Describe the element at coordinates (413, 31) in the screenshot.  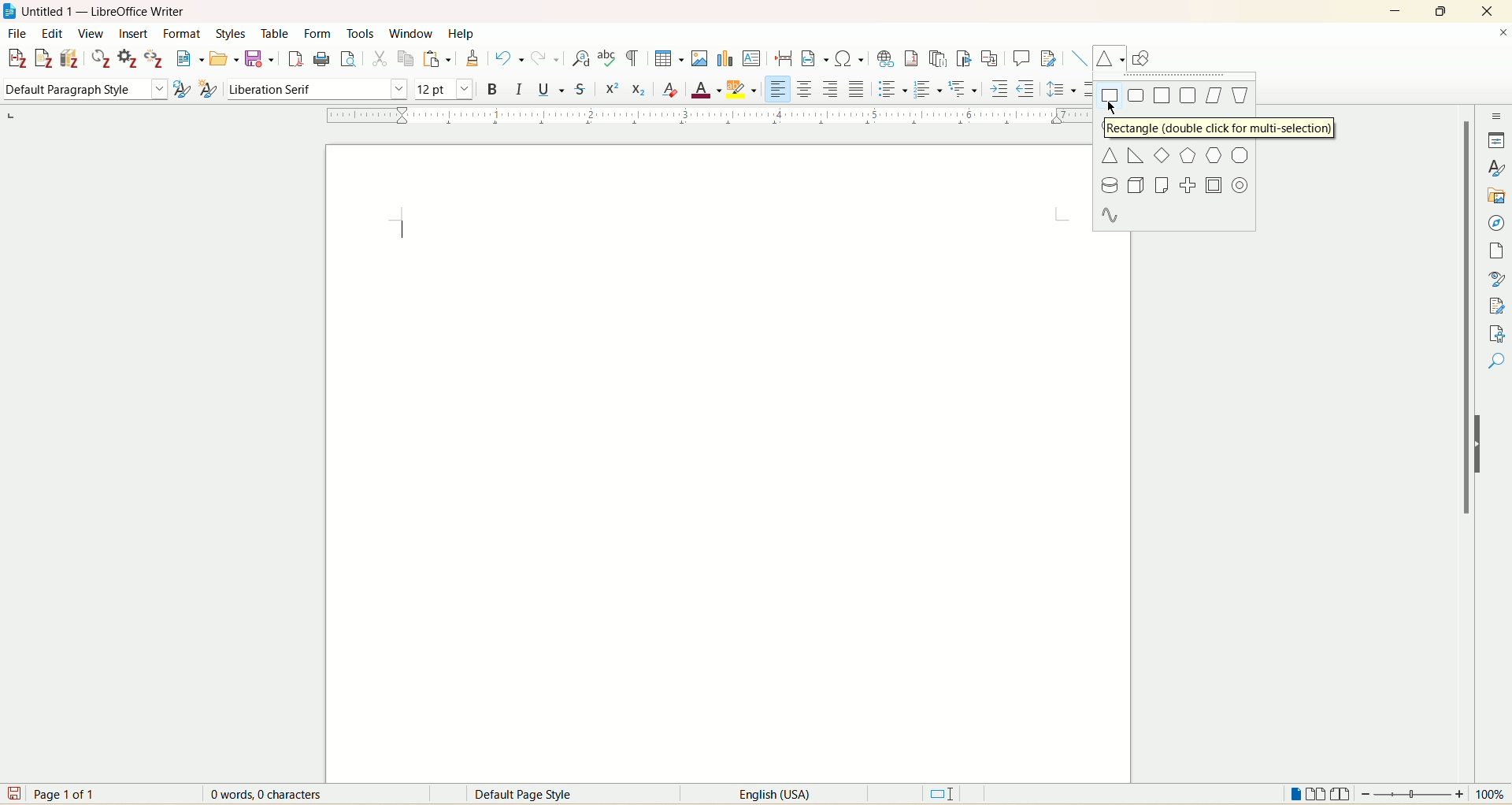
I see `window` at that location.